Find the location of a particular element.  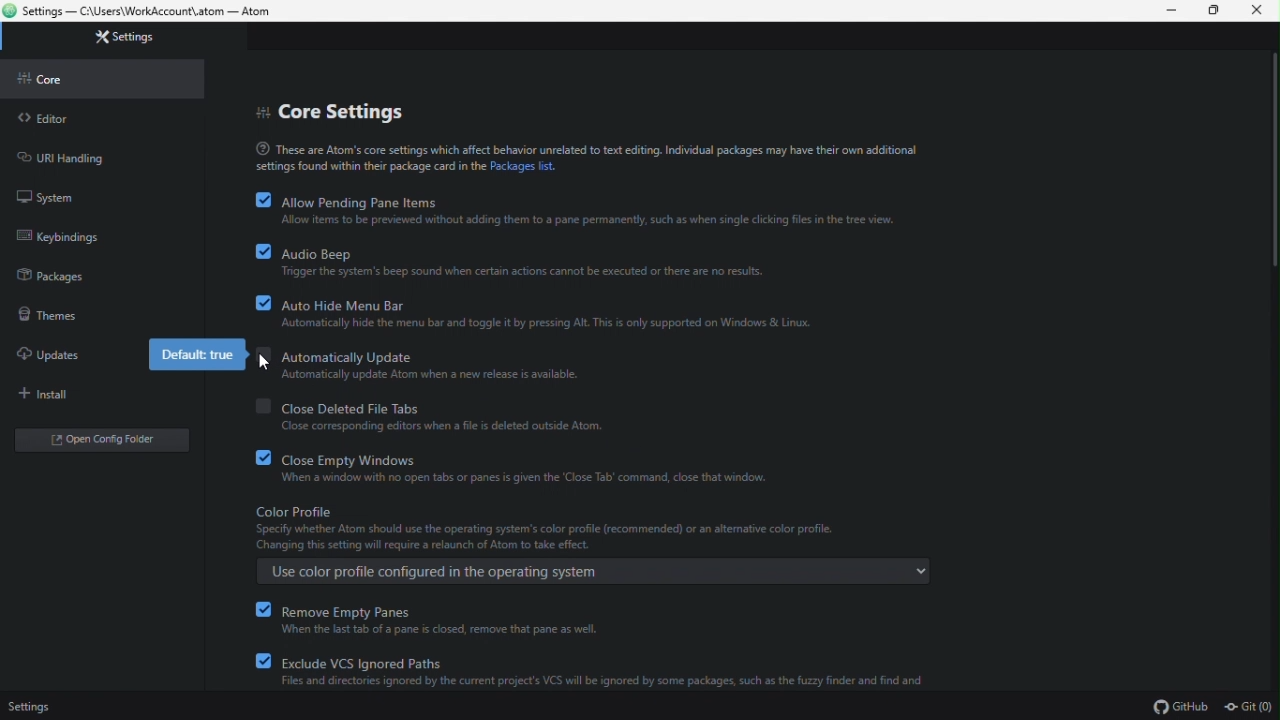

Cursor is located at coordinates (267, 364).